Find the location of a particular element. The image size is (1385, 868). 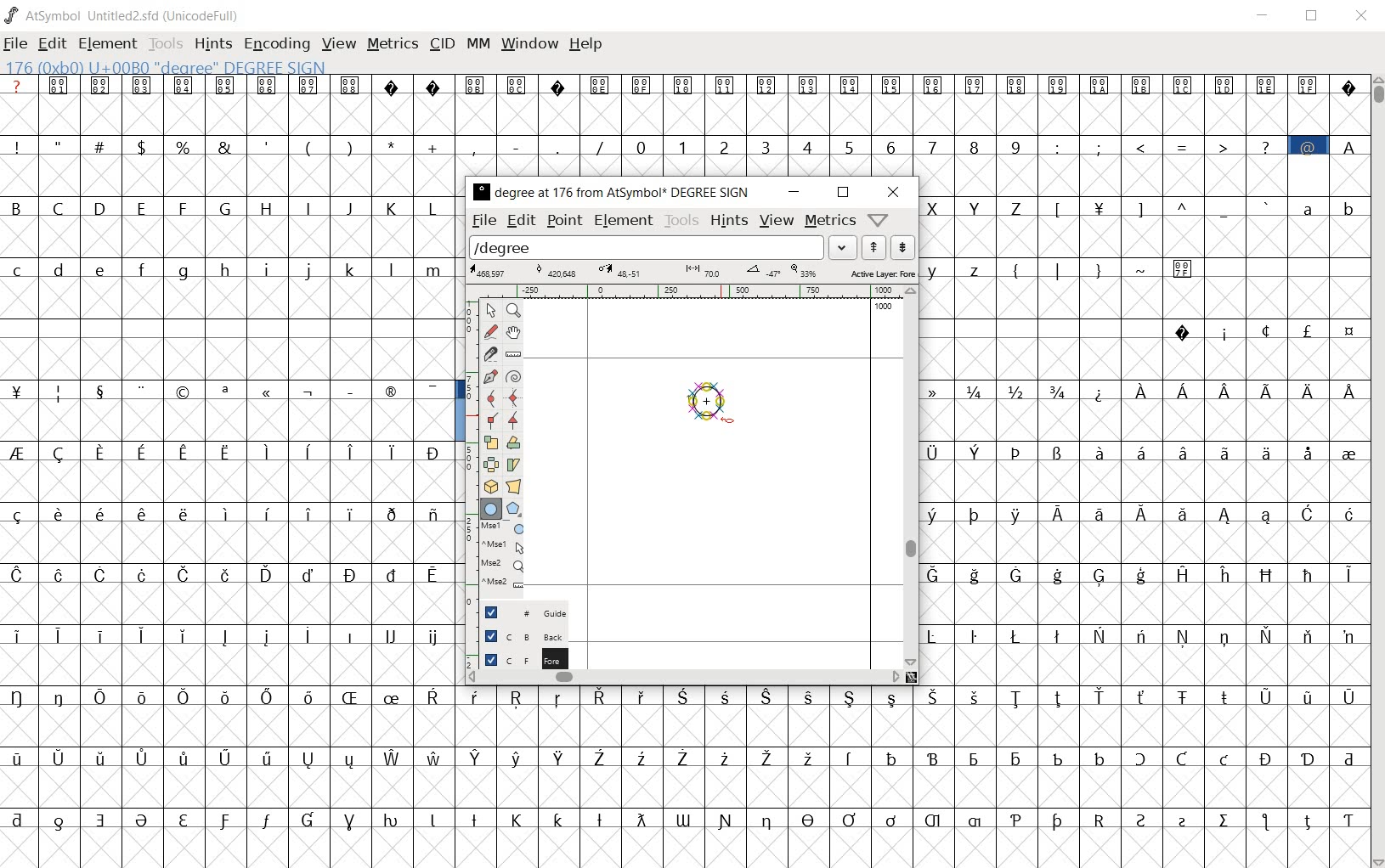

flip the selection is located at coordinates (489, 465).